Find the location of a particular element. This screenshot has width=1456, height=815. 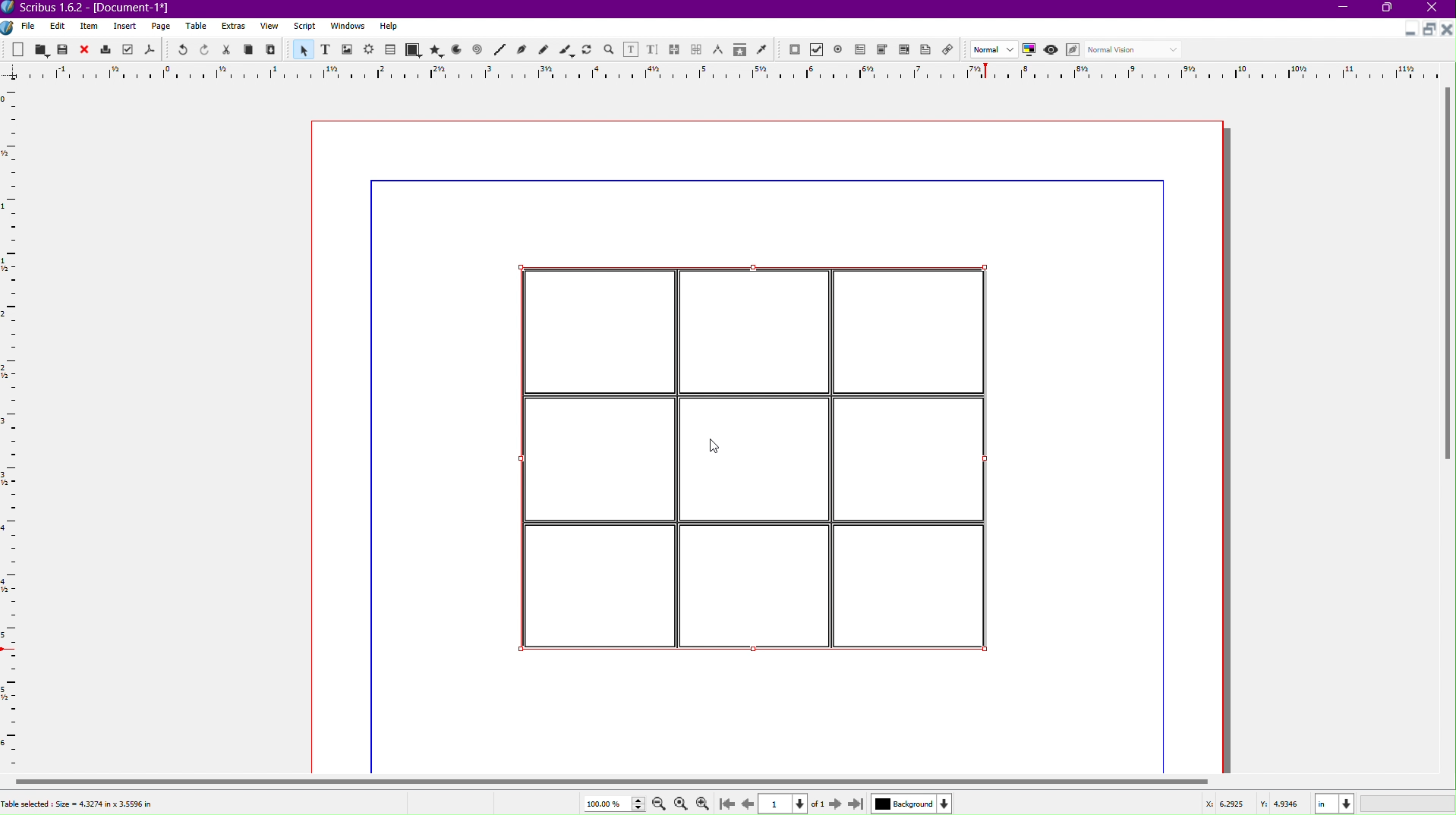

Zoom Value is located at coordinates (611, 802).